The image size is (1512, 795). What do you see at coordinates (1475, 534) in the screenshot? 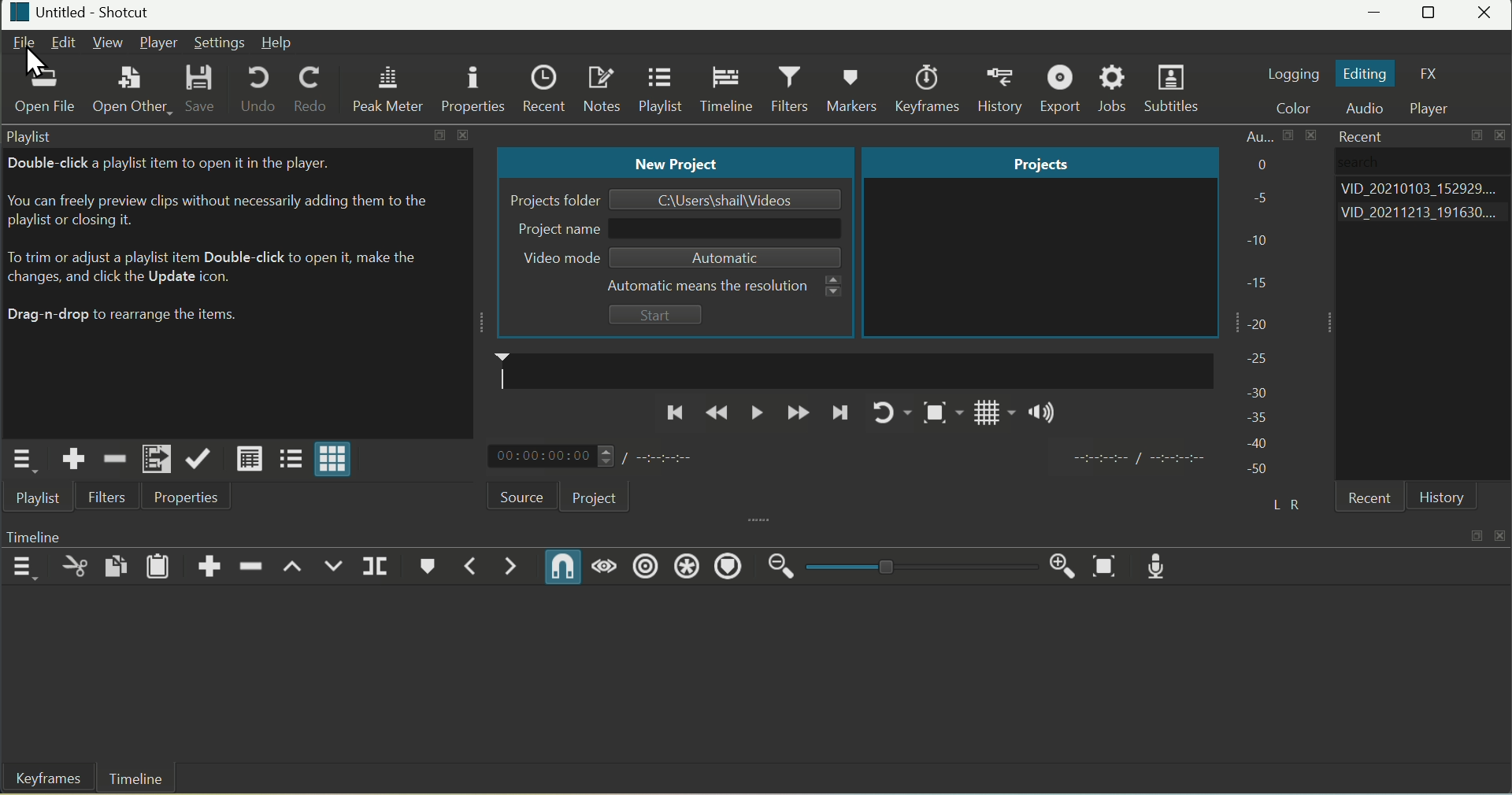
I see `maximize` at bounding box center [1475, 534].